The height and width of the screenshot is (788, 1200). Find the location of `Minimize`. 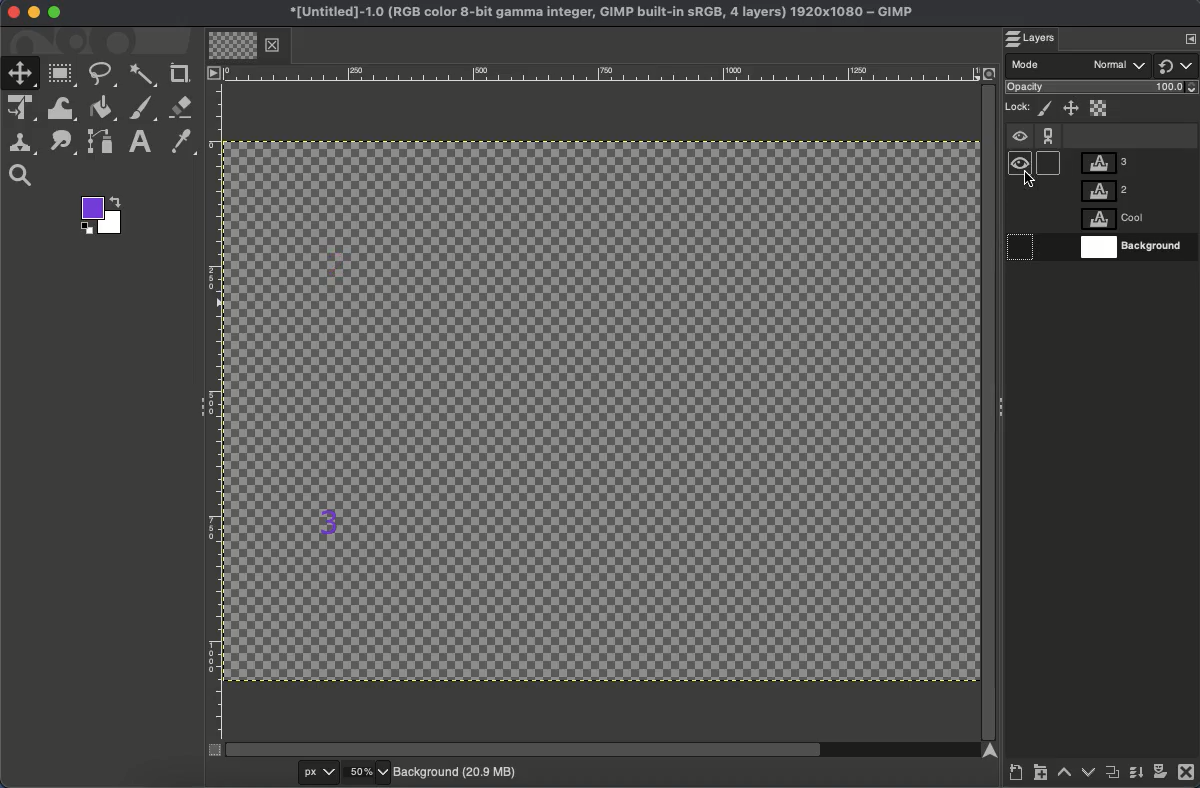

Minimize is located at coordinates (34, 12).